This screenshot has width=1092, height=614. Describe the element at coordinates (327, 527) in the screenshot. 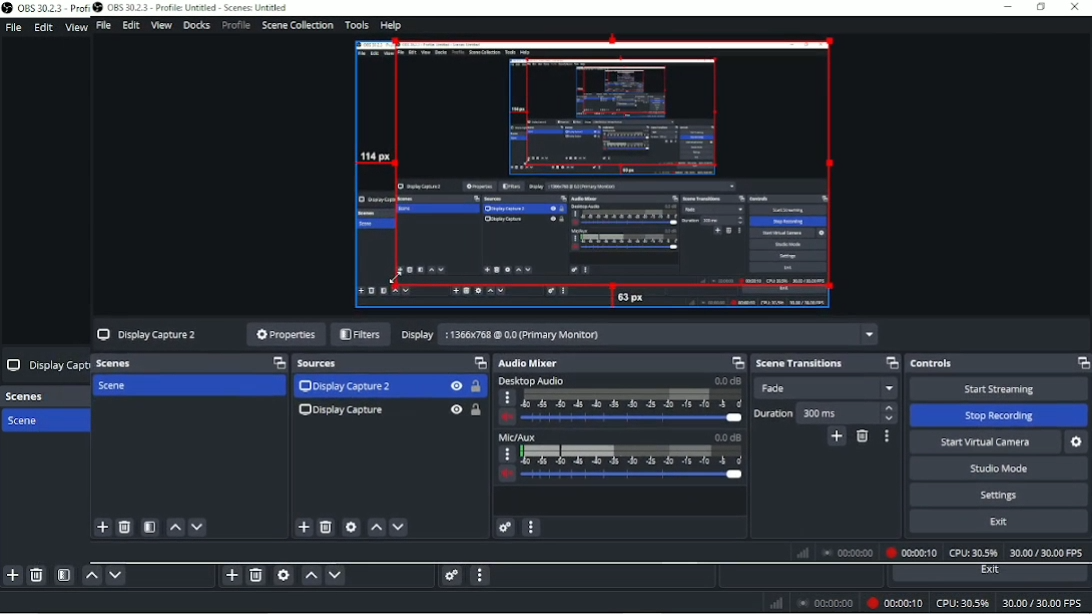

I see `delete` at that location.